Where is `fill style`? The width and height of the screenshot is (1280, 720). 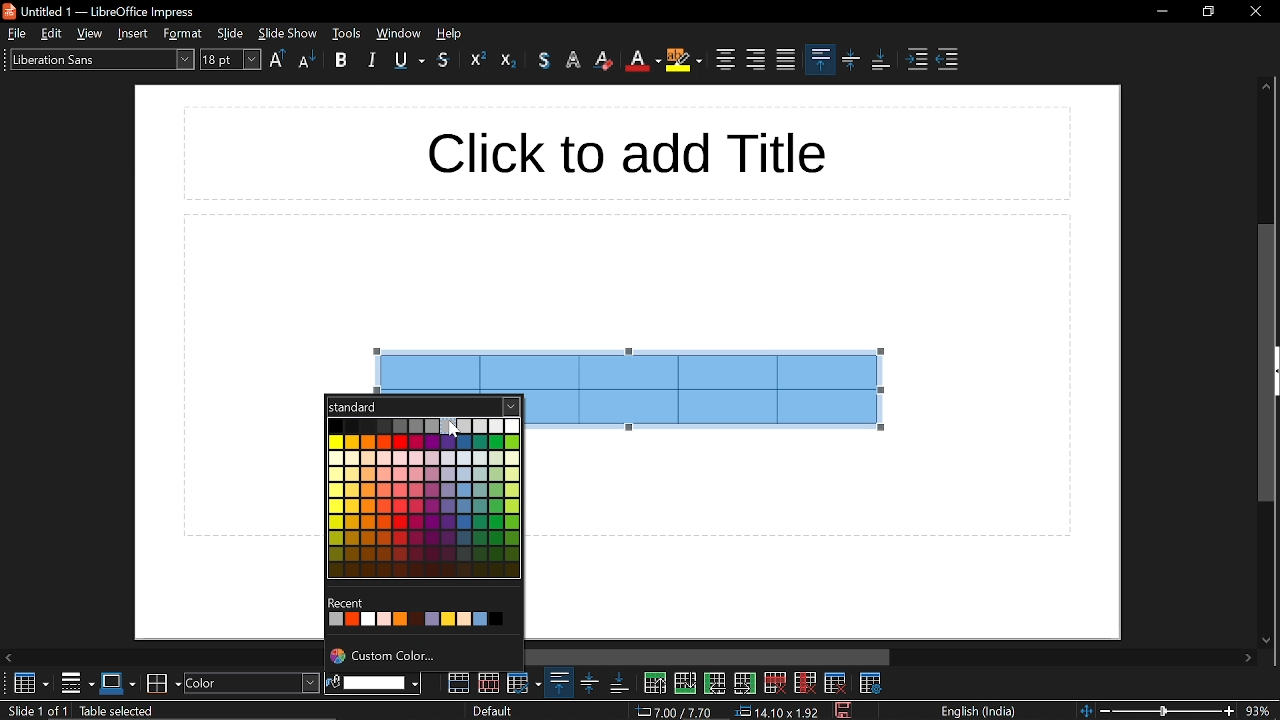 fill style is located at coordinates (252, 683).